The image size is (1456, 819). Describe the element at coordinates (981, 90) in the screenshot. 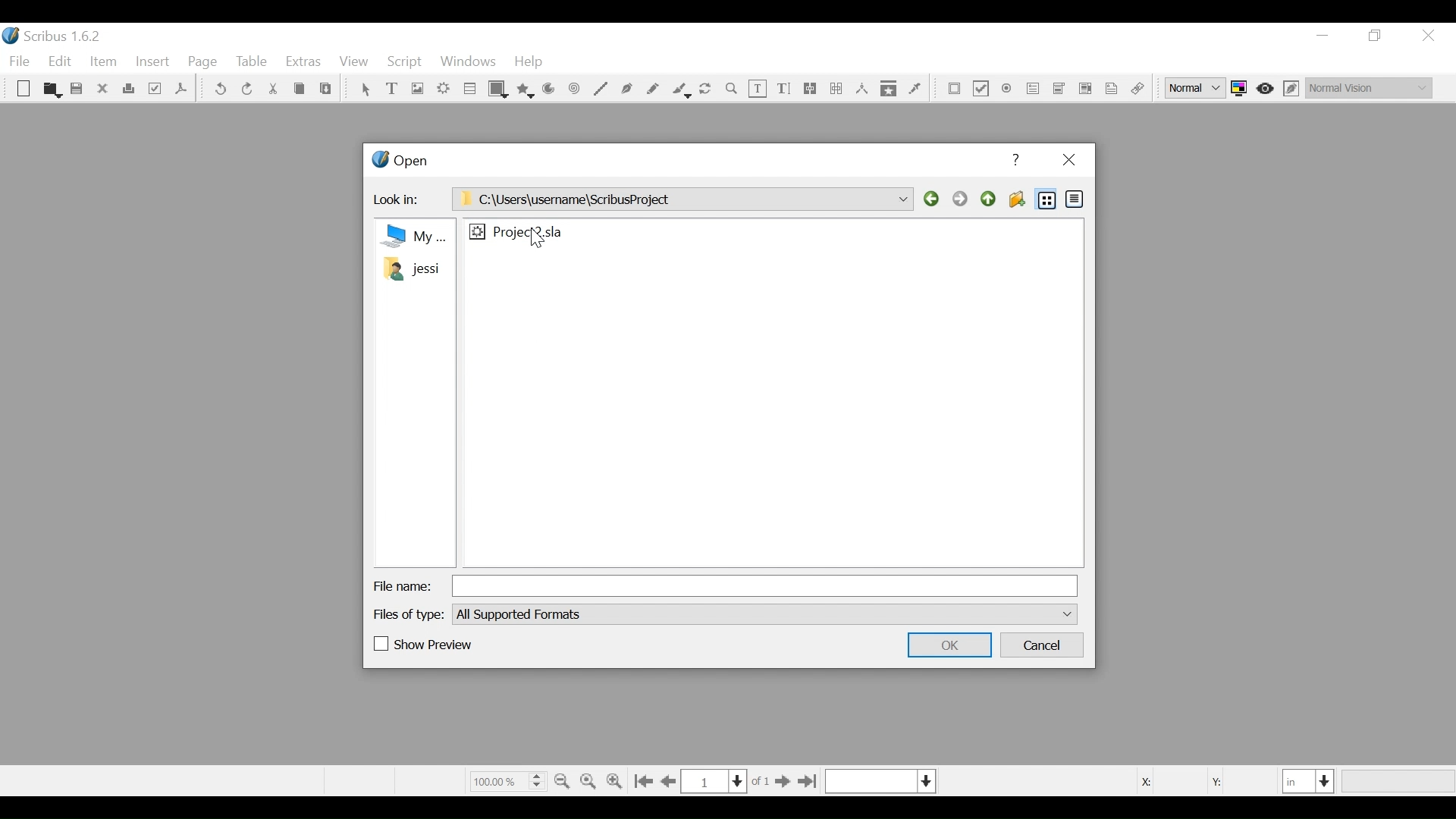

I see `PDF Check Box` at that location.